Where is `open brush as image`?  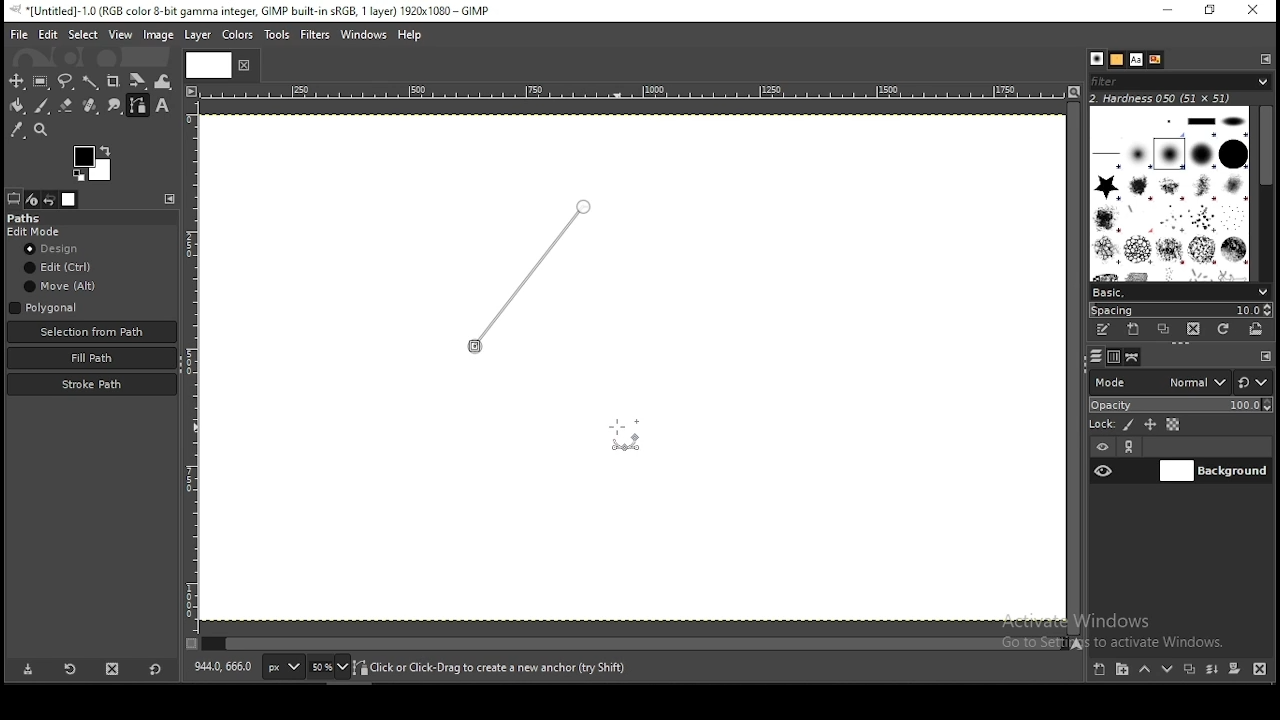 open brush as image is located at coordinates (1255, 331).